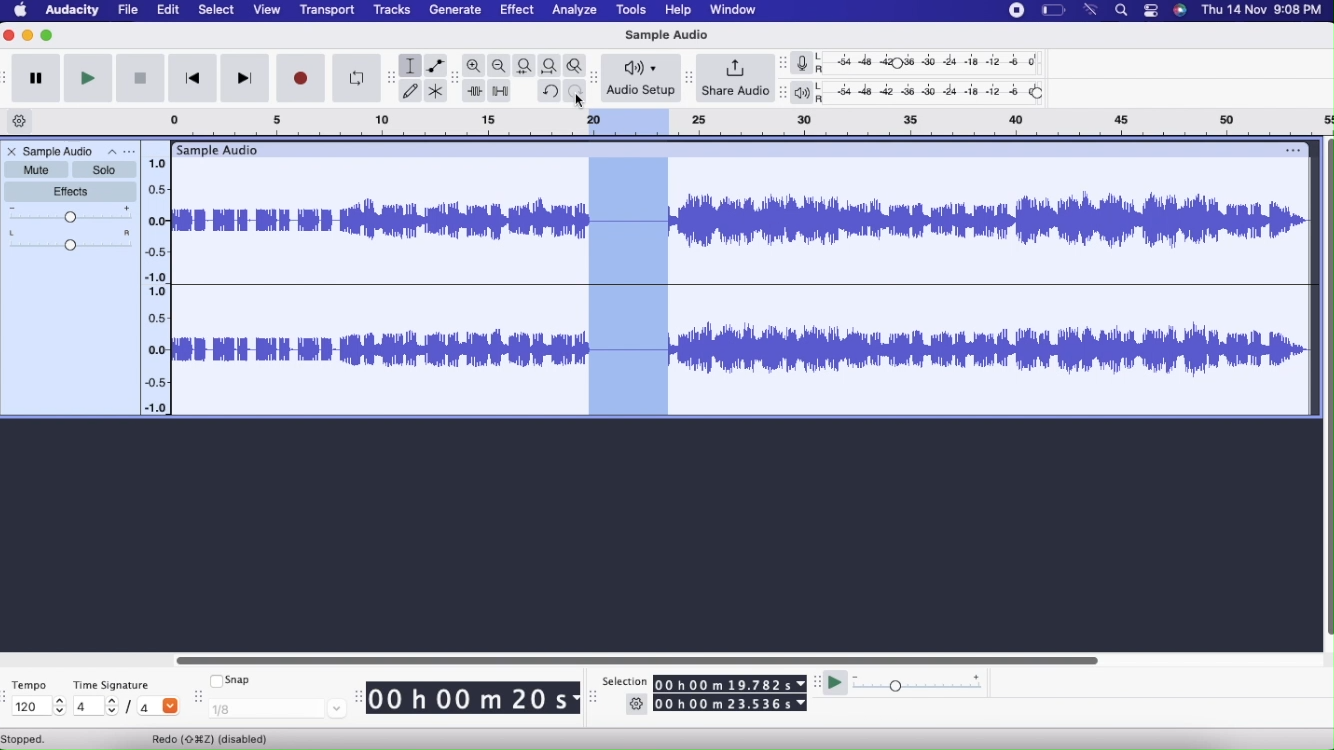  I want to click on Audio Setup, so click(640, 78).